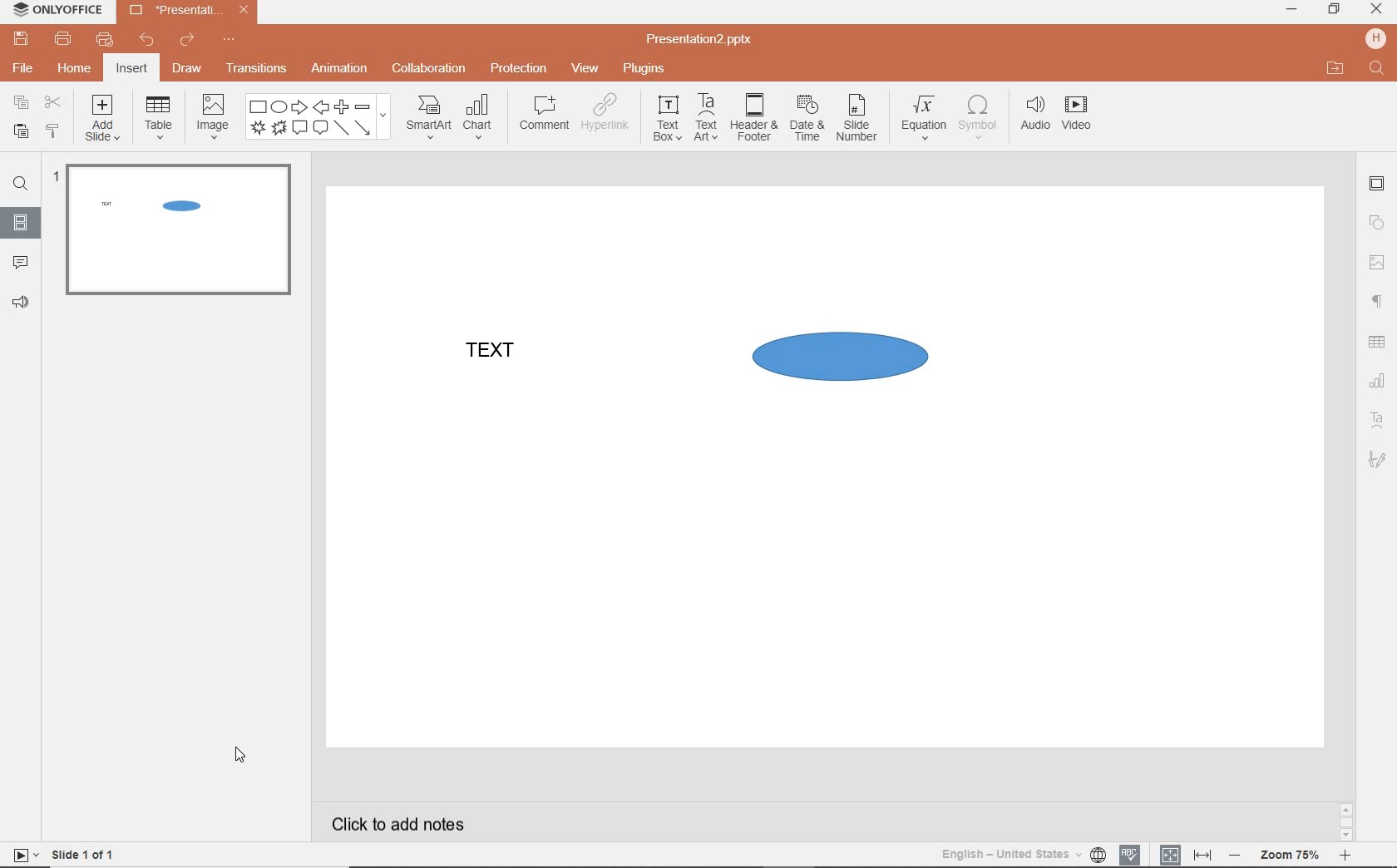 The height and width of the screenshot is (868, 1397). Describe the element at coordinates (1291, 10) in the screenshot. I see `minimize` at that location.